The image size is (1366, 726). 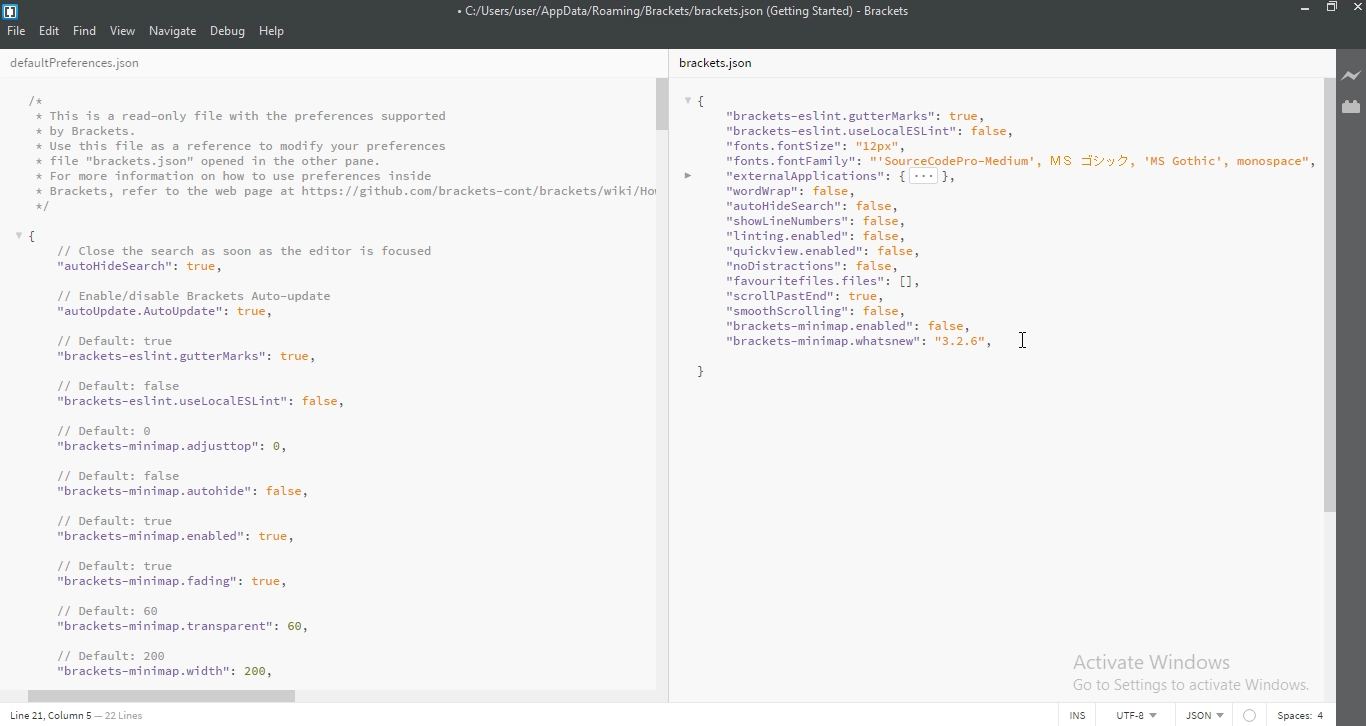 What do you see at coordinates (174, 30) in the screenshot?
I see `Navigate` at bounding box center [174, 30].